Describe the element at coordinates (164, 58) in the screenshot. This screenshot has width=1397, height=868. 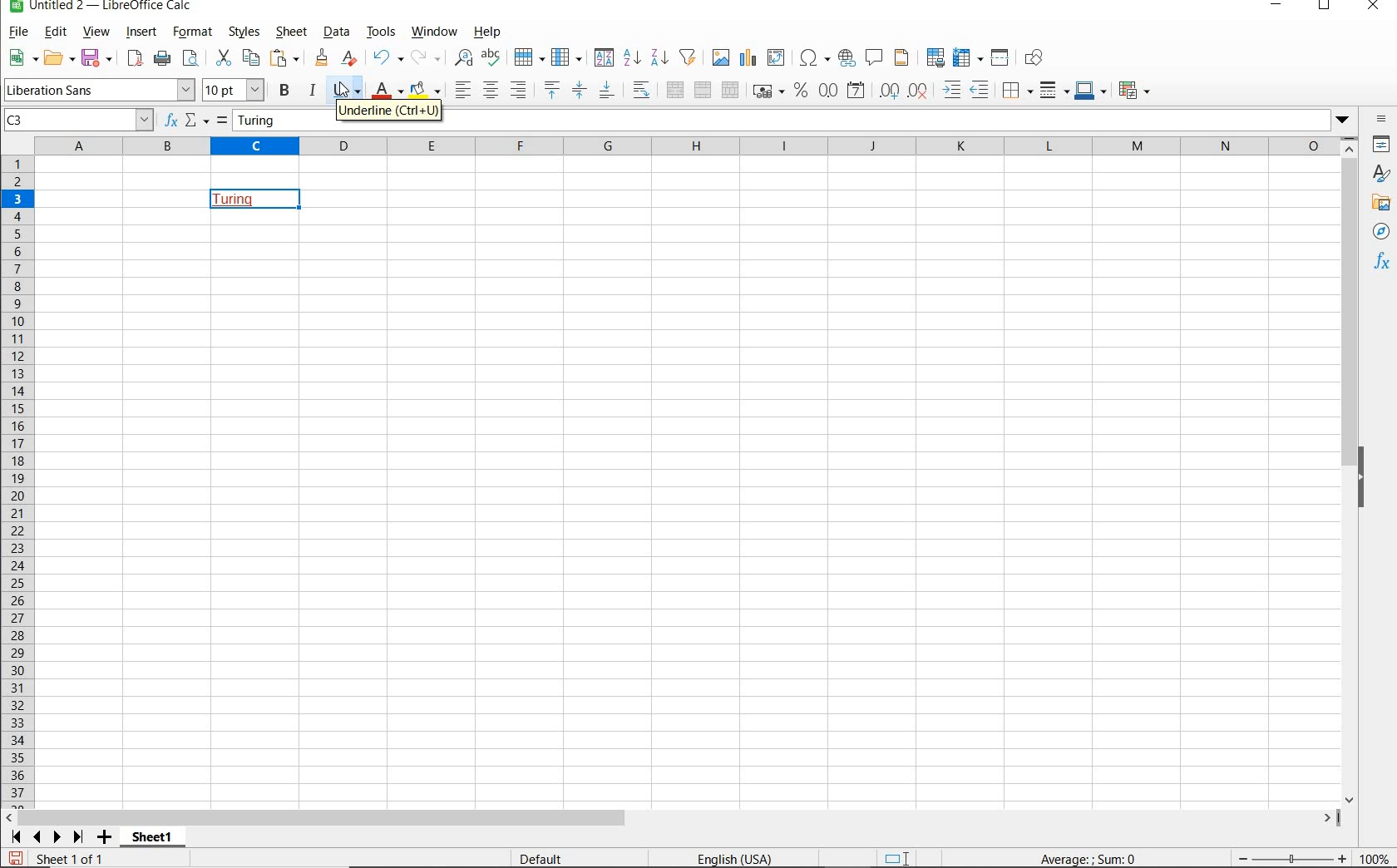
I see `PRINT` at that location.